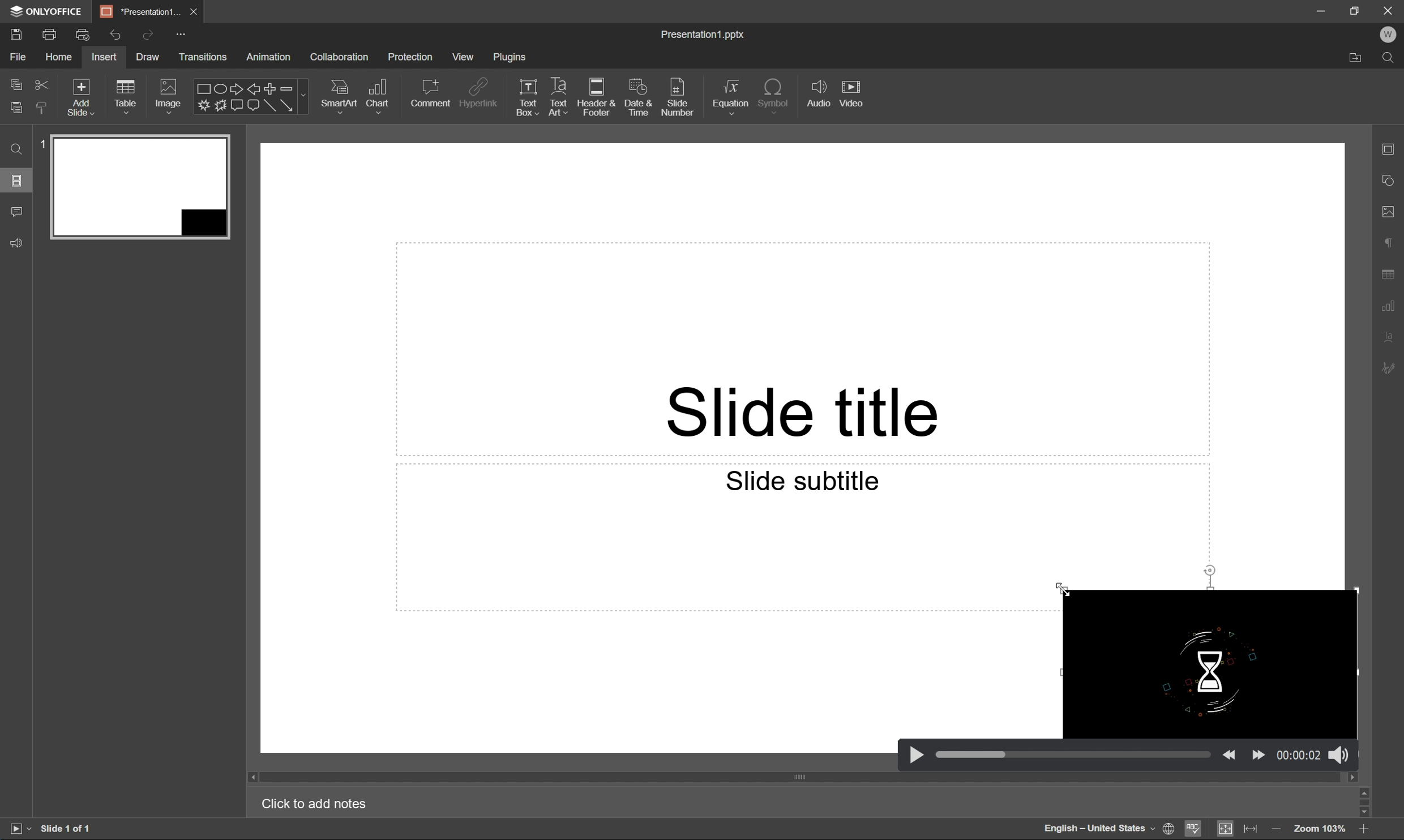 The width and height of the screenshot is (1404, 840). What do you see at coordinates (413, 56) in the screenshot?
I see `protection` at bounding box center [413, 56].